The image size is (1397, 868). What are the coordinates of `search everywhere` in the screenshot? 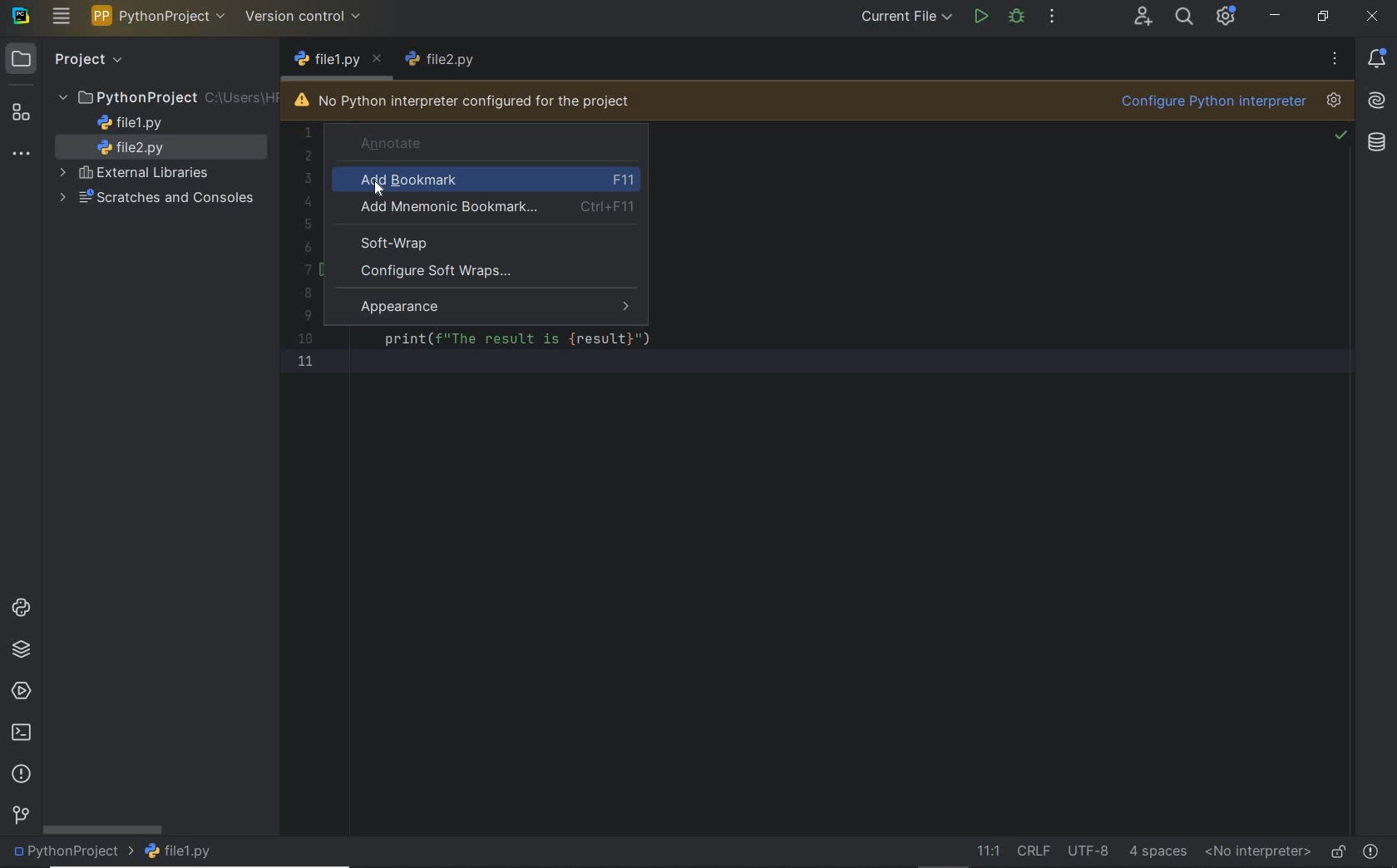 It's located at (1185, 19).